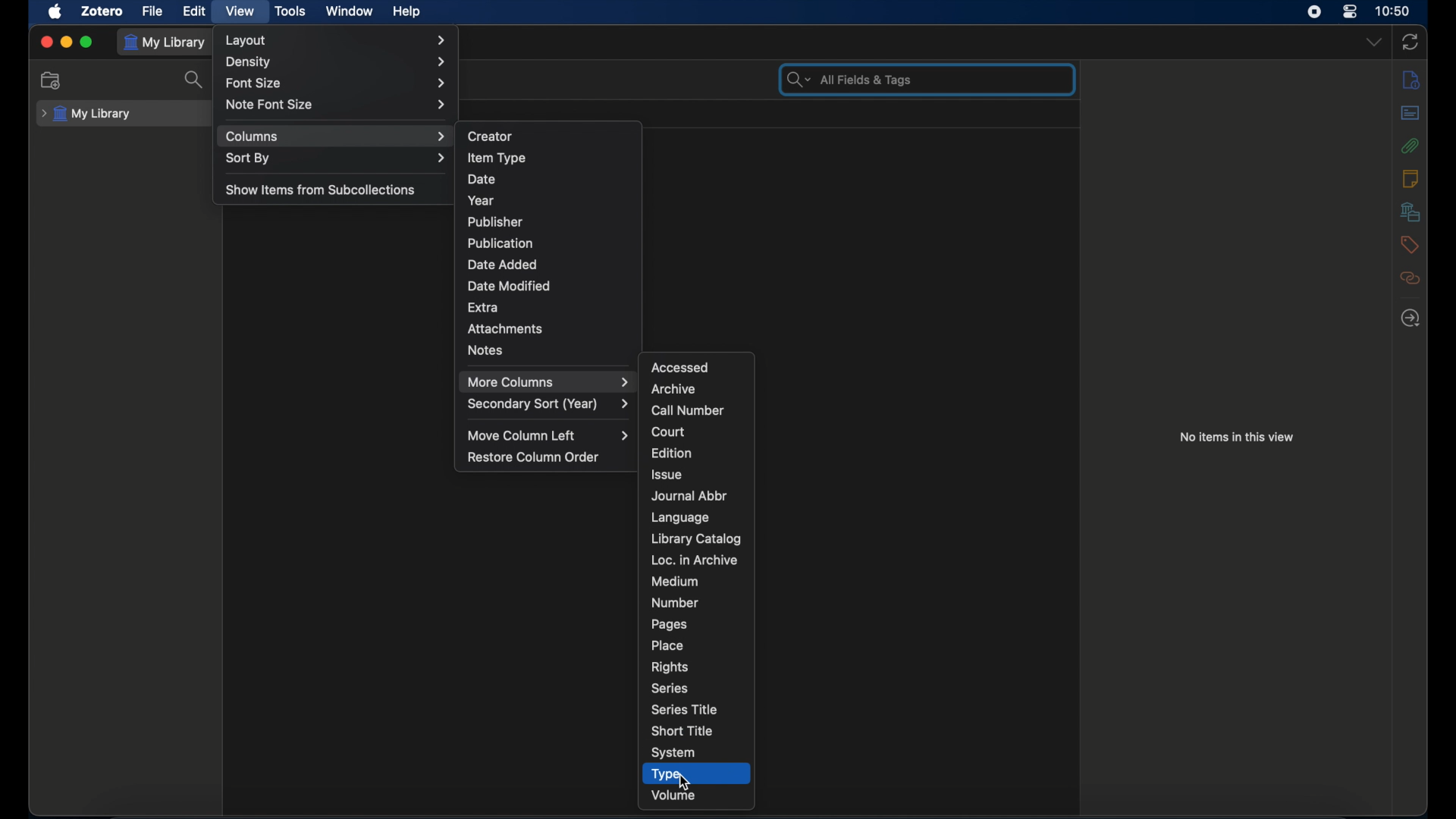 This screenshot has height=819, width=1456. I want to click on search, so click(196, 80).